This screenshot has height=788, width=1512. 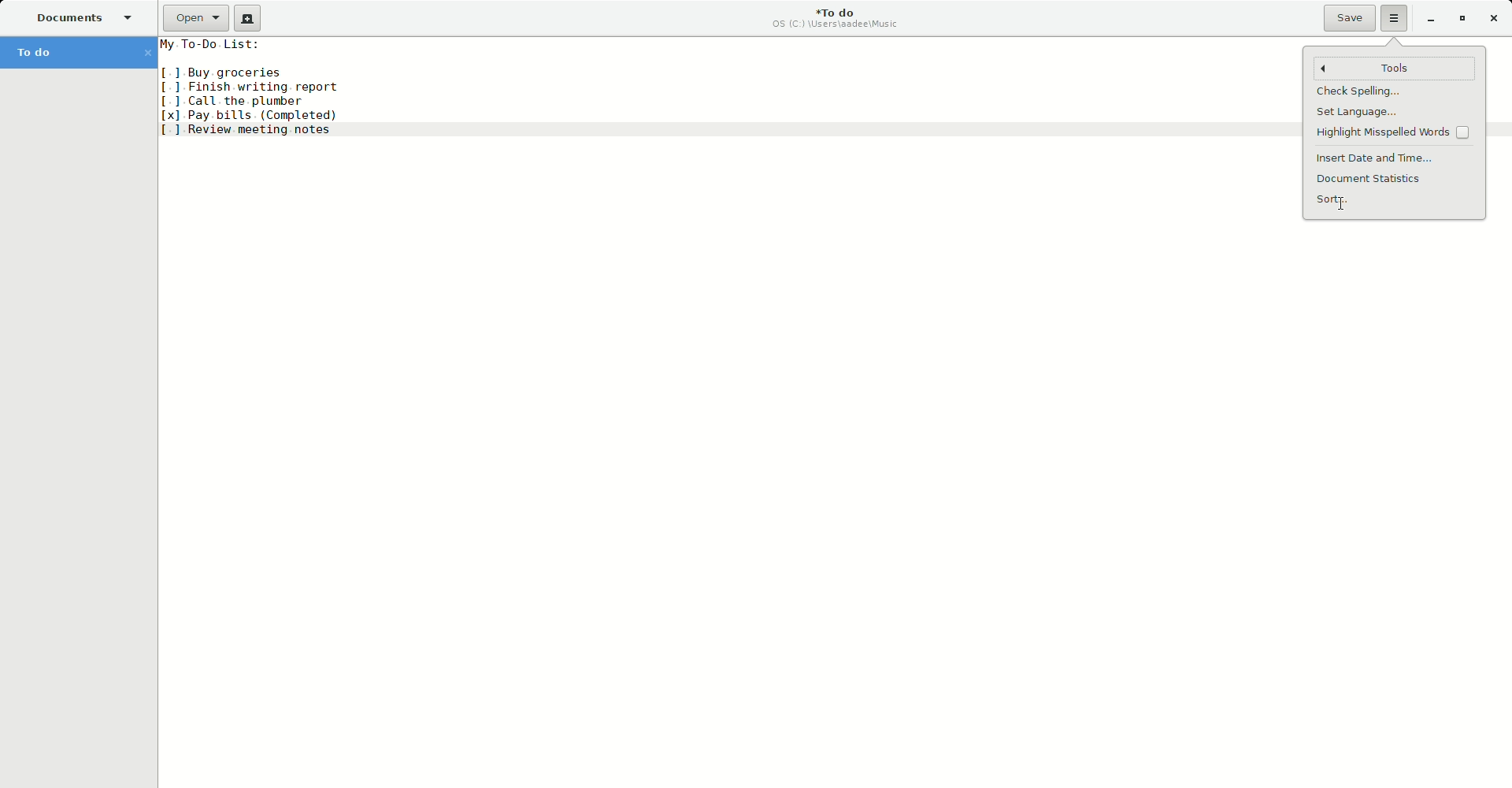 I want to click on To do, so click(x=841, y=20).